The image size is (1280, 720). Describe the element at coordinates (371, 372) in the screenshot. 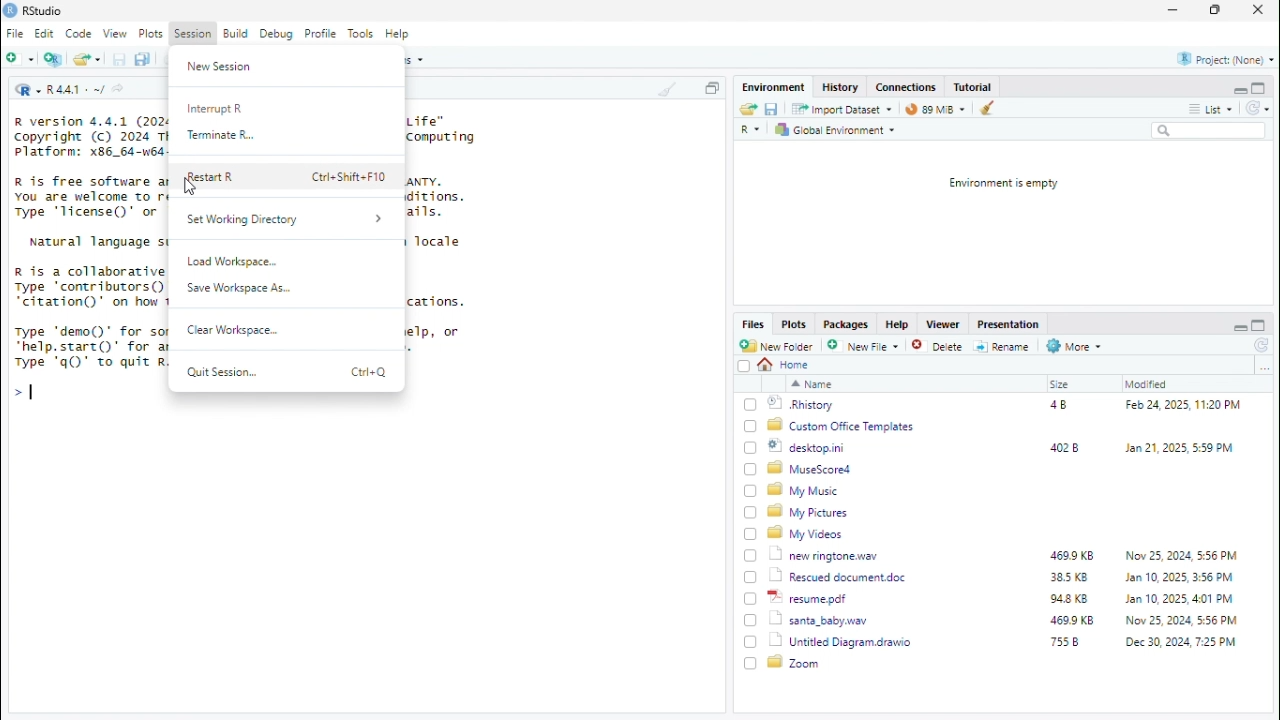

I see `Crl+Q` at that location.